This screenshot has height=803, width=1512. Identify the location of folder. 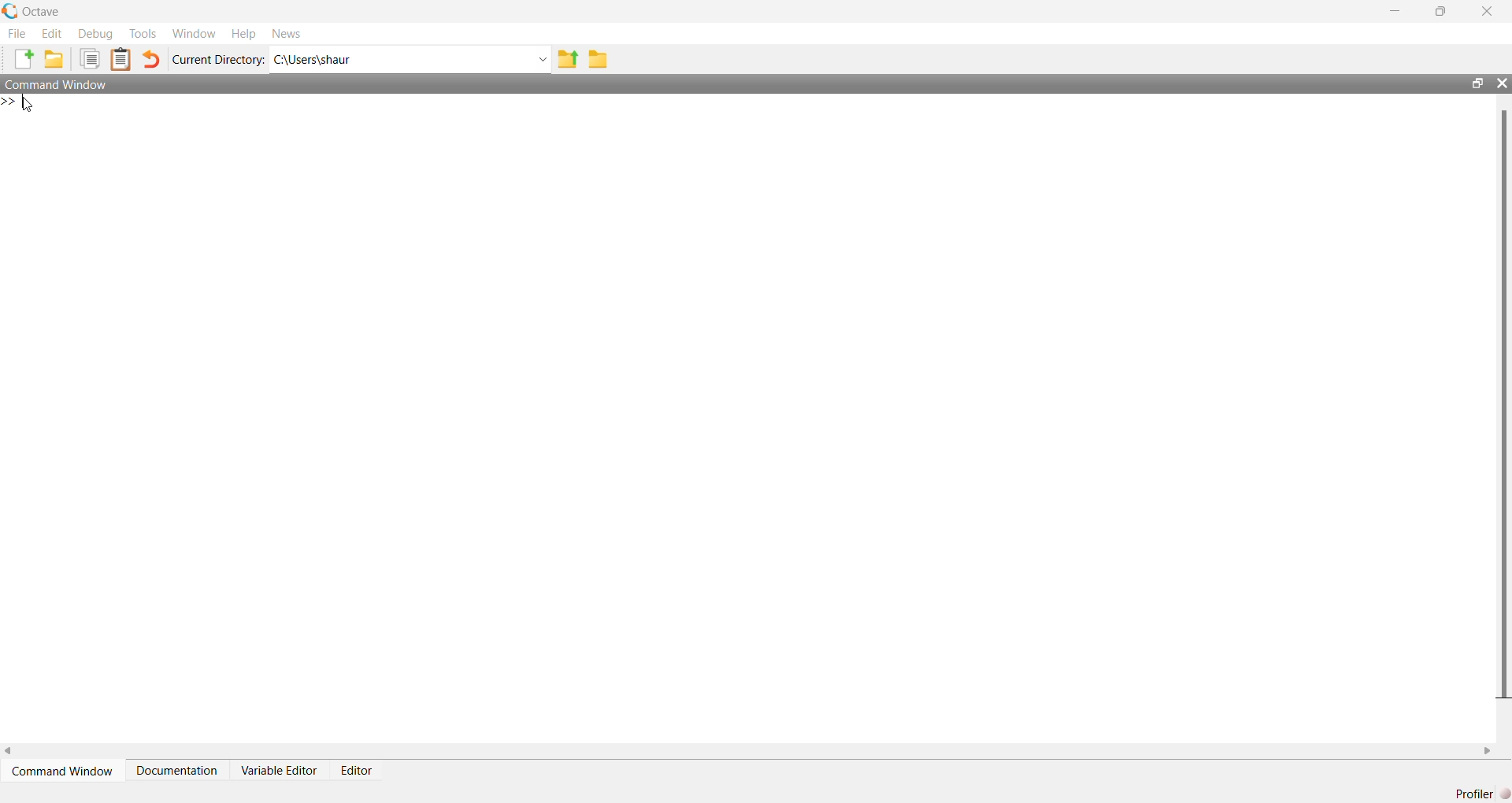
(598, 60).